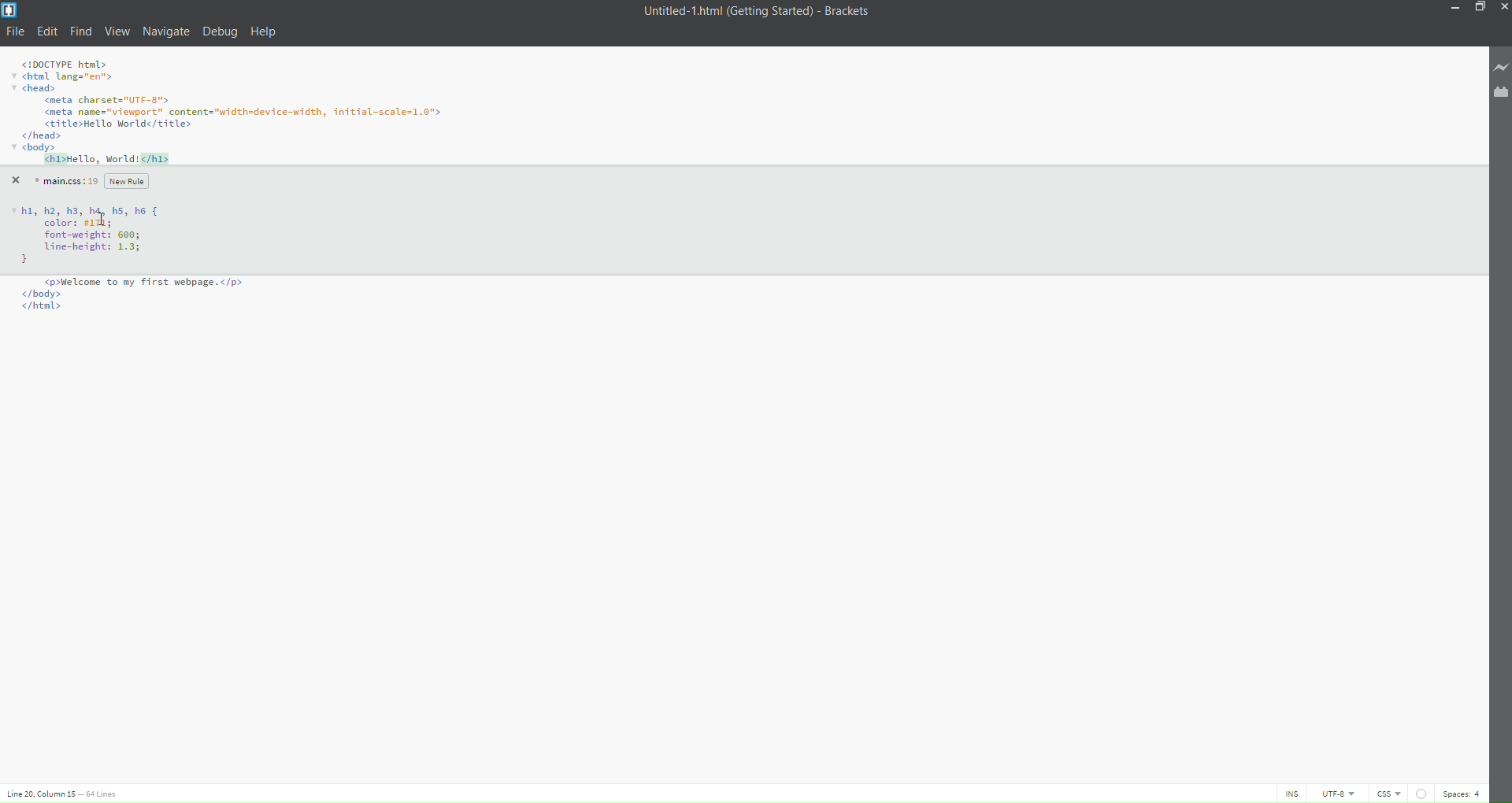  Describe the element at coordinates (104, 220) in the screenshot. I see `Cursor` at that location.